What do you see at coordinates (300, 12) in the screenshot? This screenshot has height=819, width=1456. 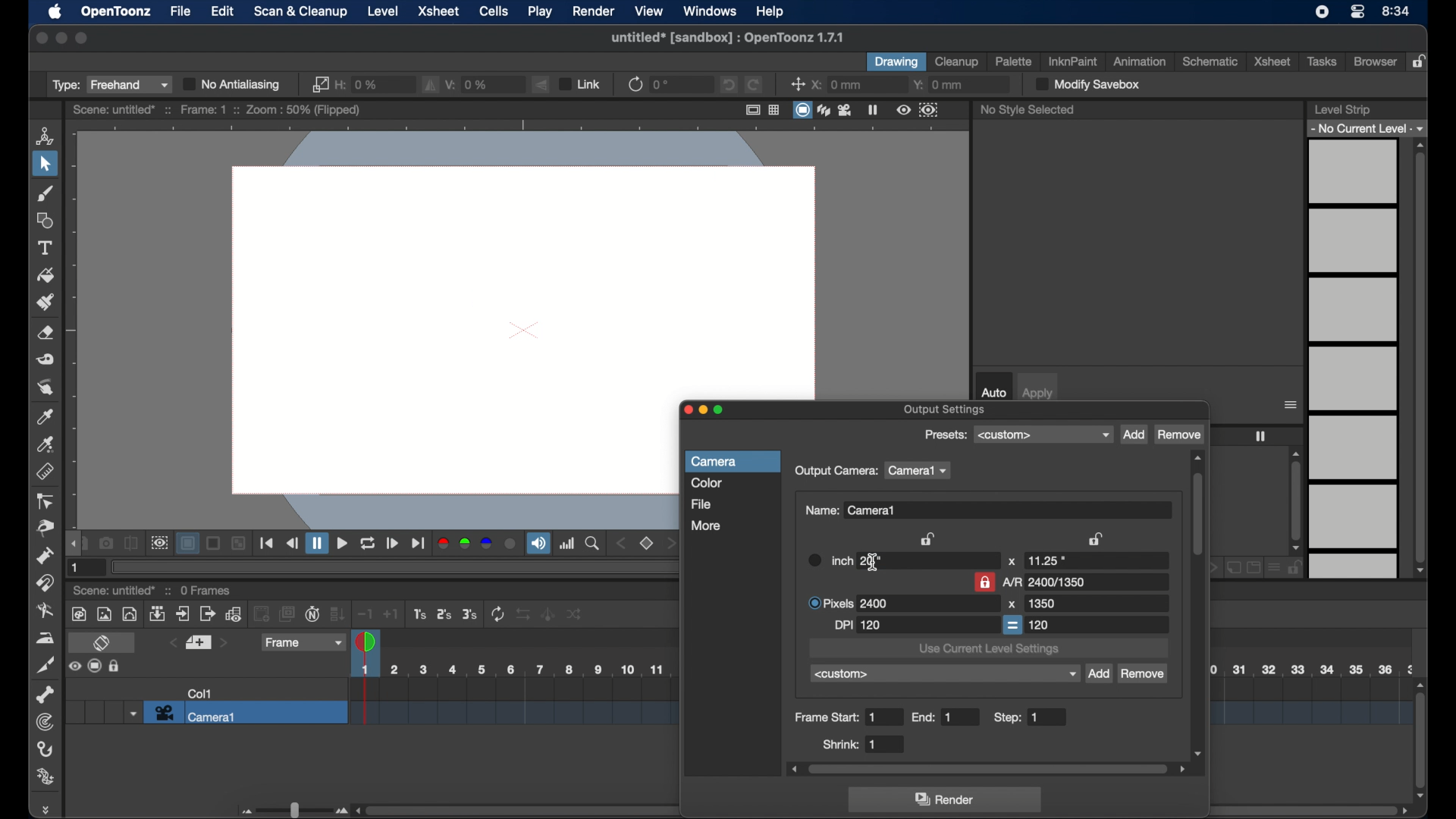 I see `scan & cleanup` at bounding box center [300, 12].